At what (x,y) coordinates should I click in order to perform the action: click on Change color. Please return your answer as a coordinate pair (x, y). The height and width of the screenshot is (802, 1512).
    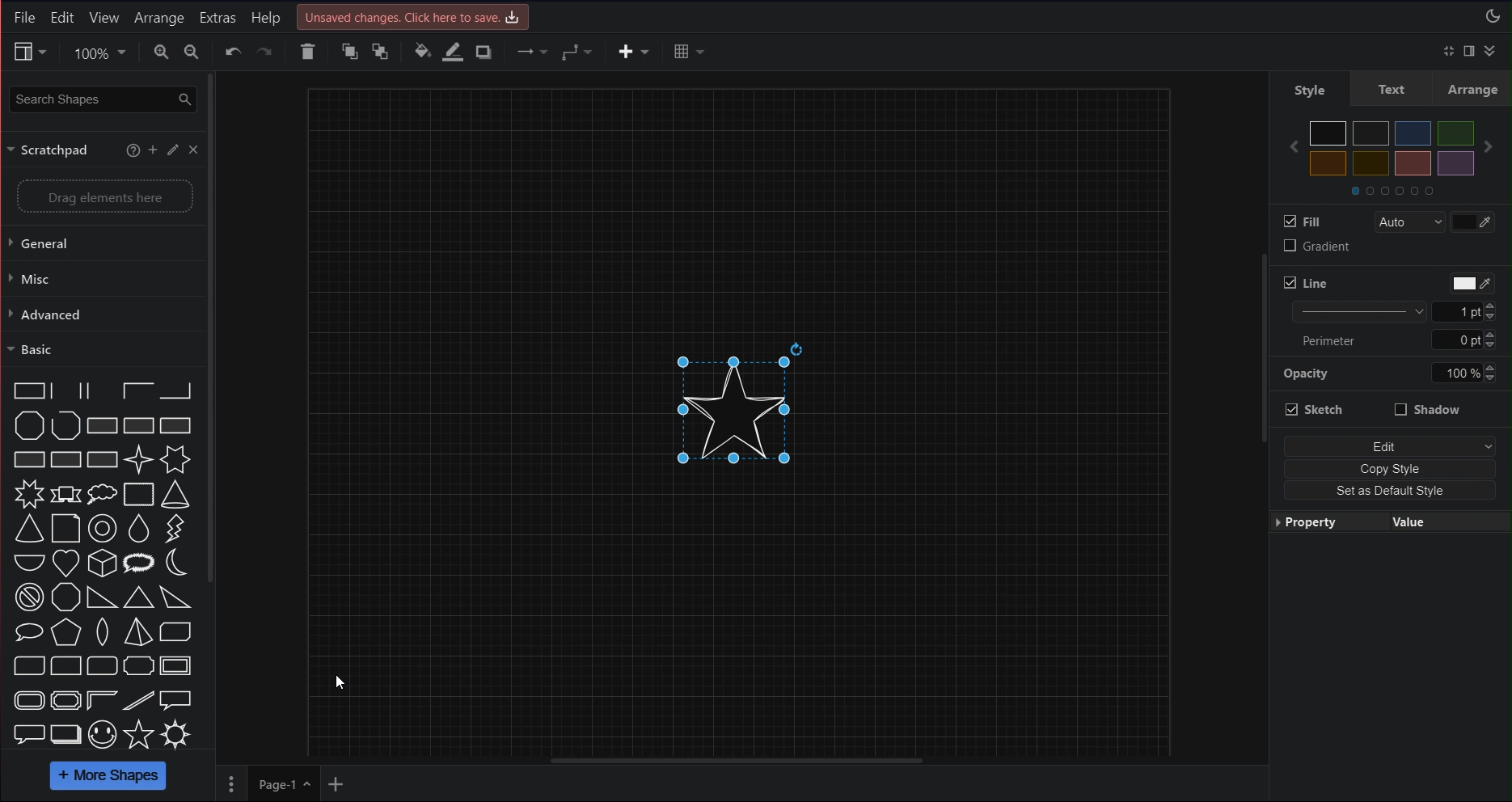
    Looking at the image, I should click on (1473, 222).